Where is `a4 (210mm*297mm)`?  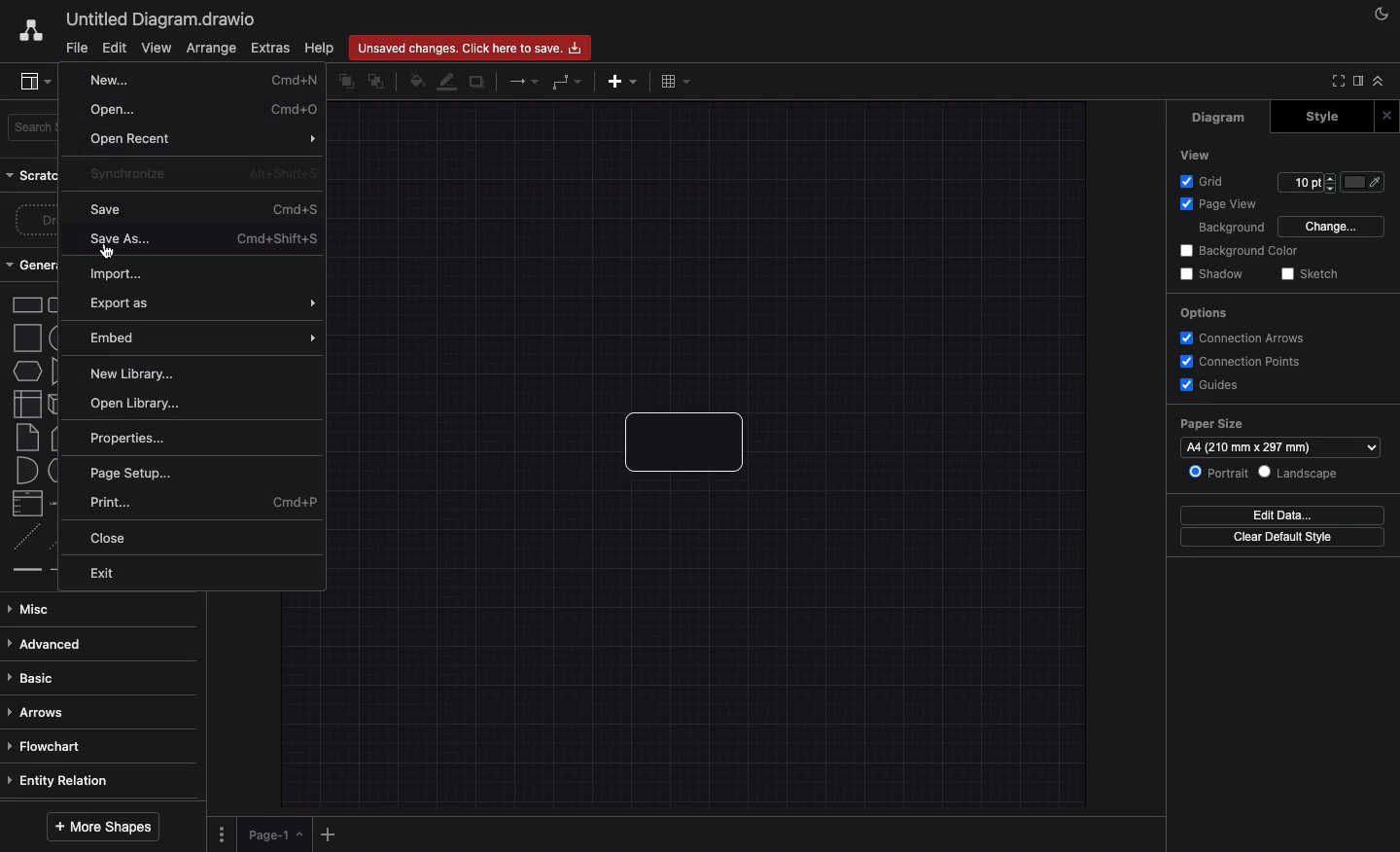
a4 (210mm*297mm) is located at coordinates (1253, 445).